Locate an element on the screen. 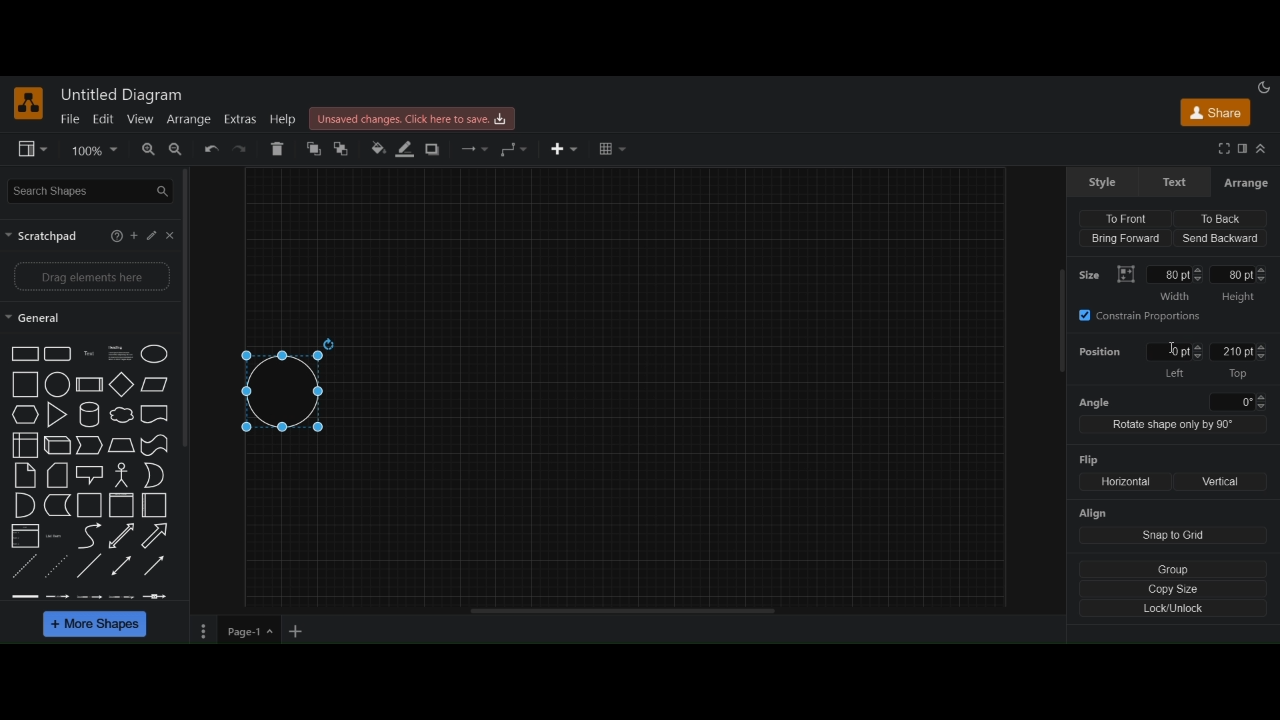 The height and width of the screenshot is (720, 1280). shadow is located at coordinates (435, 150).